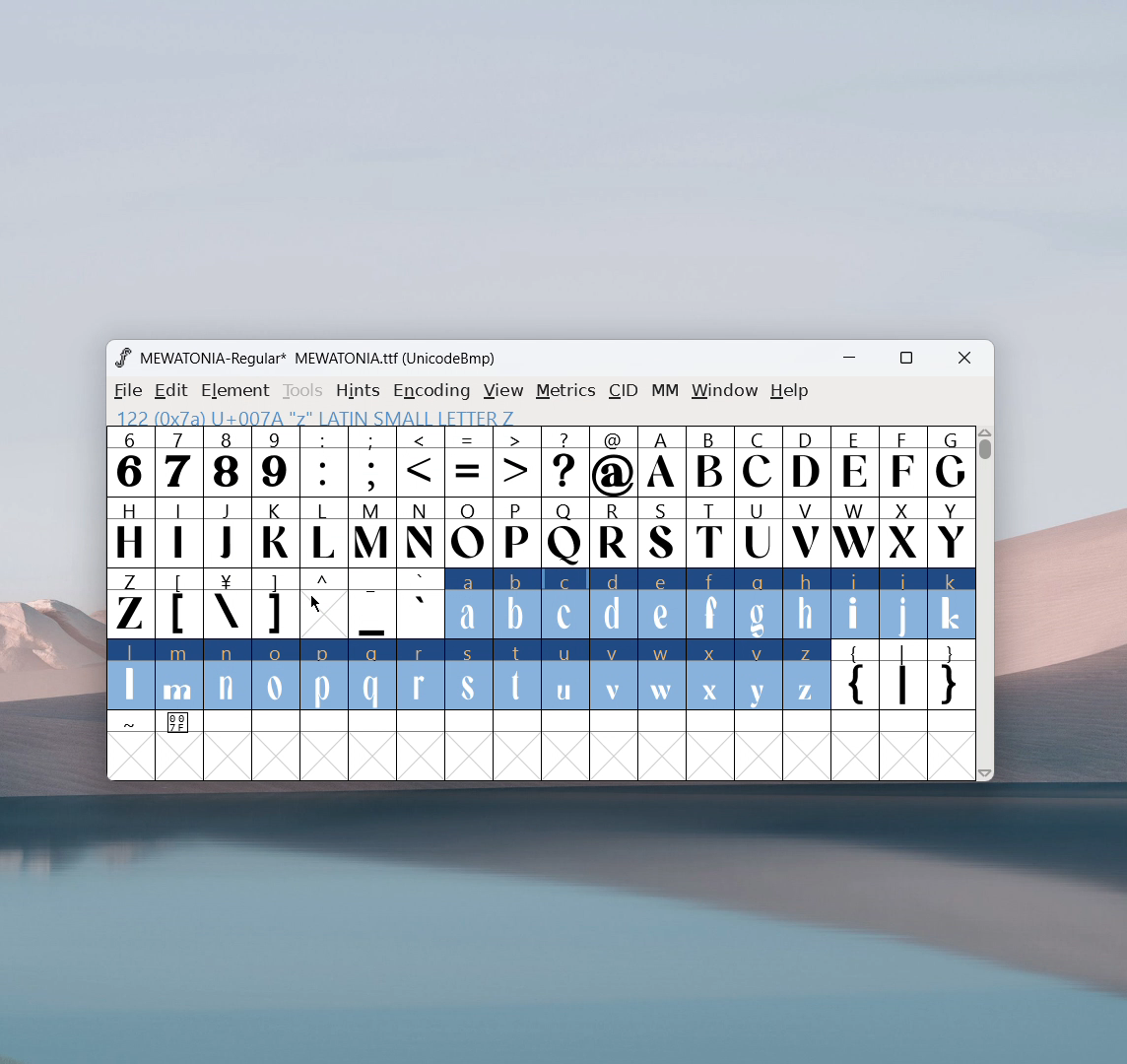  I want to click on >, so click(518, 462).